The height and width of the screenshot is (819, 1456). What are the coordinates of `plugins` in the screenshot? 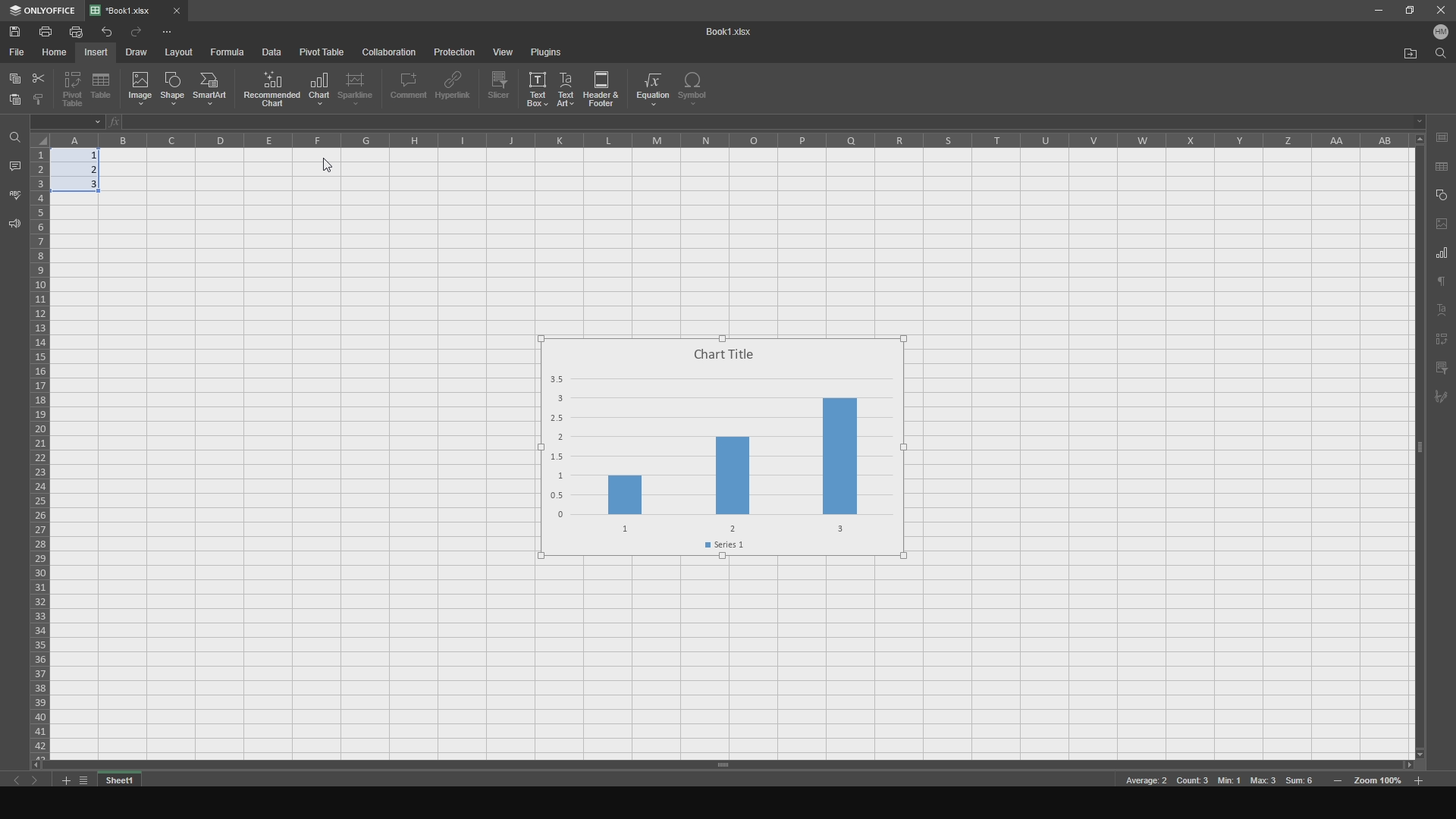 It's located at (554, 50).